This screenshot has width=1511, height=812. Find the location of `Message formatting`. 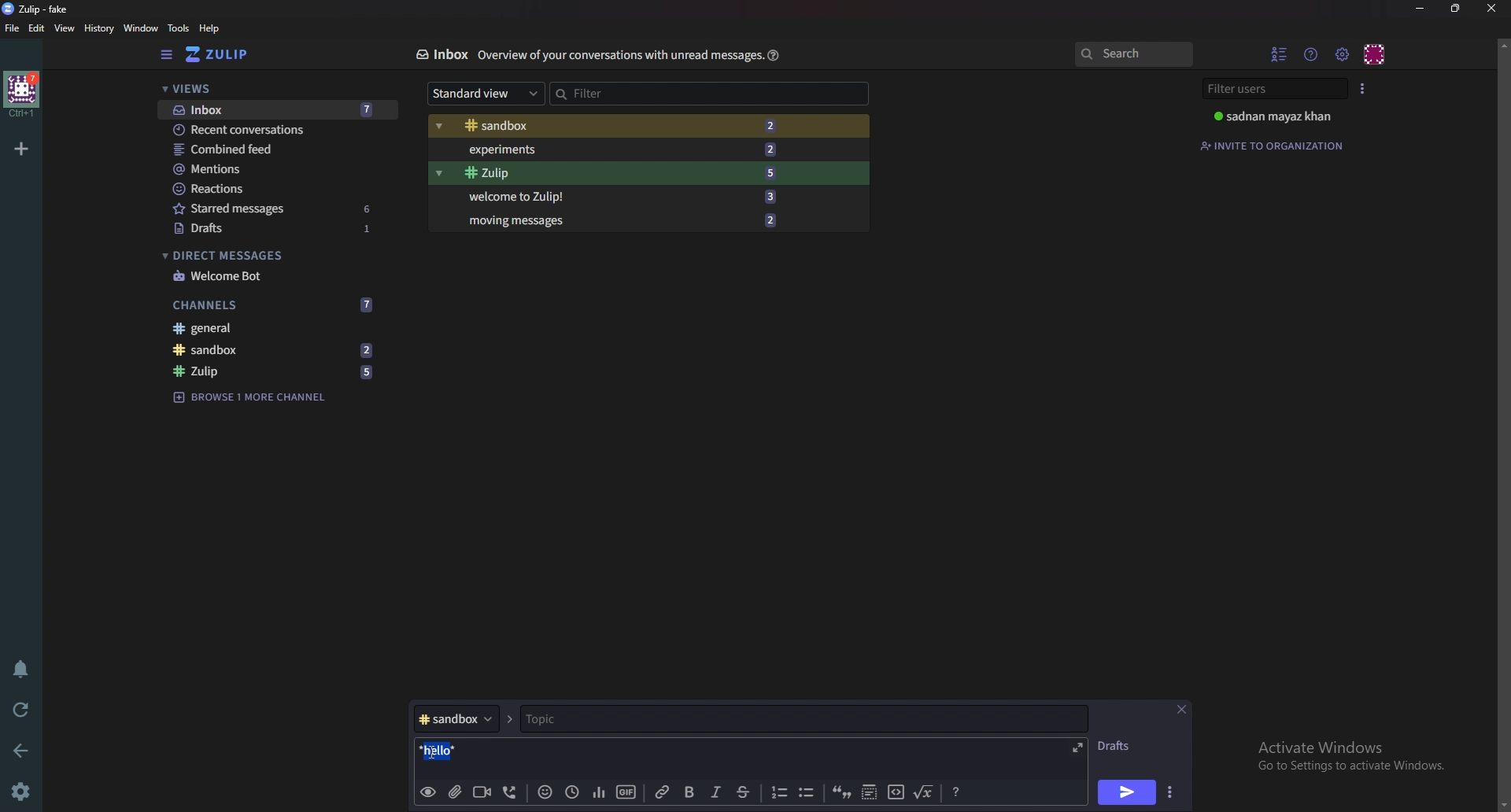

Message formatting is located at coordinates (954, 791).